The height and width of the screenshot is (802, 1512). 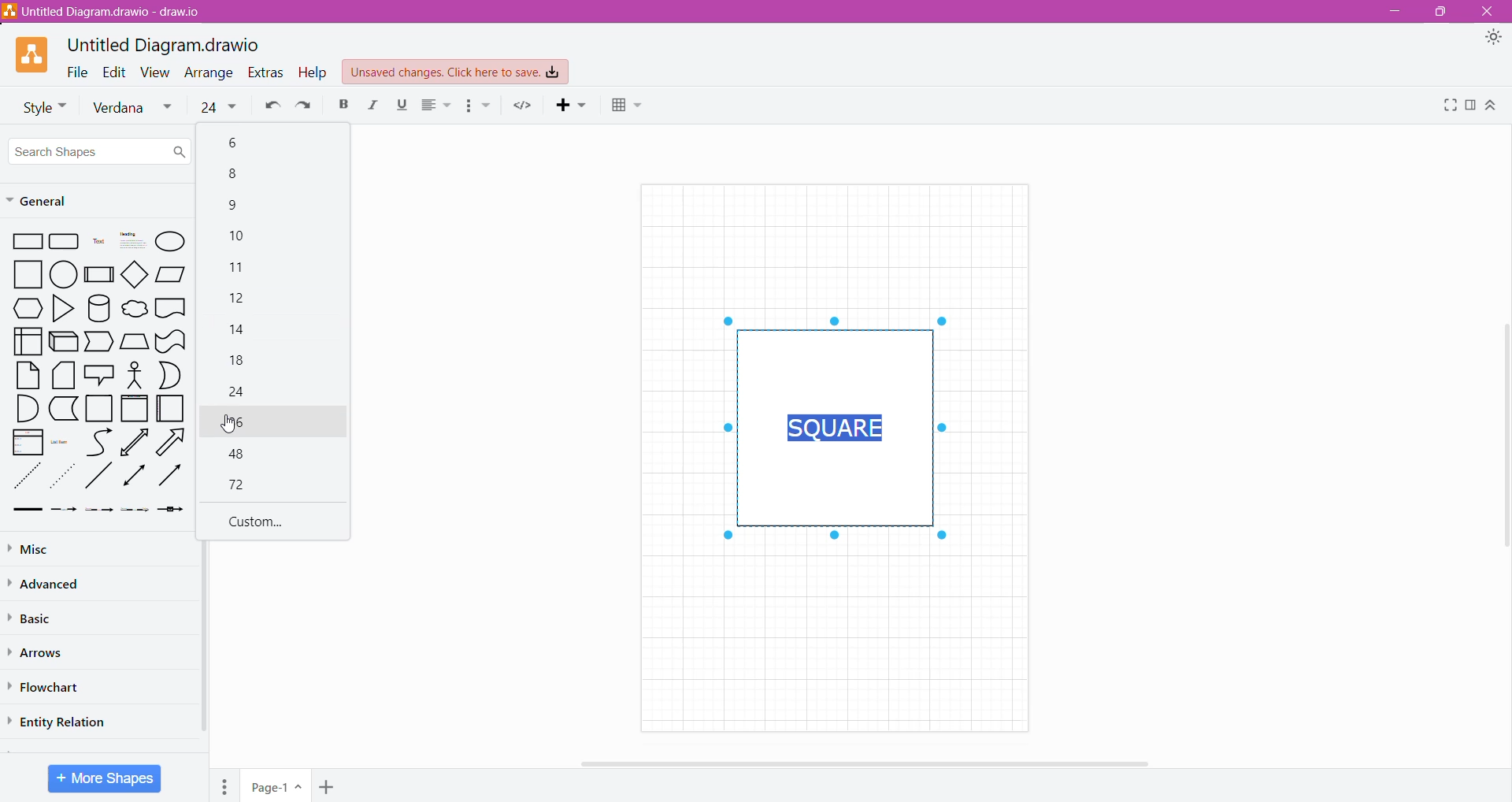 I want to click on Square , so click(x=99, y=409).